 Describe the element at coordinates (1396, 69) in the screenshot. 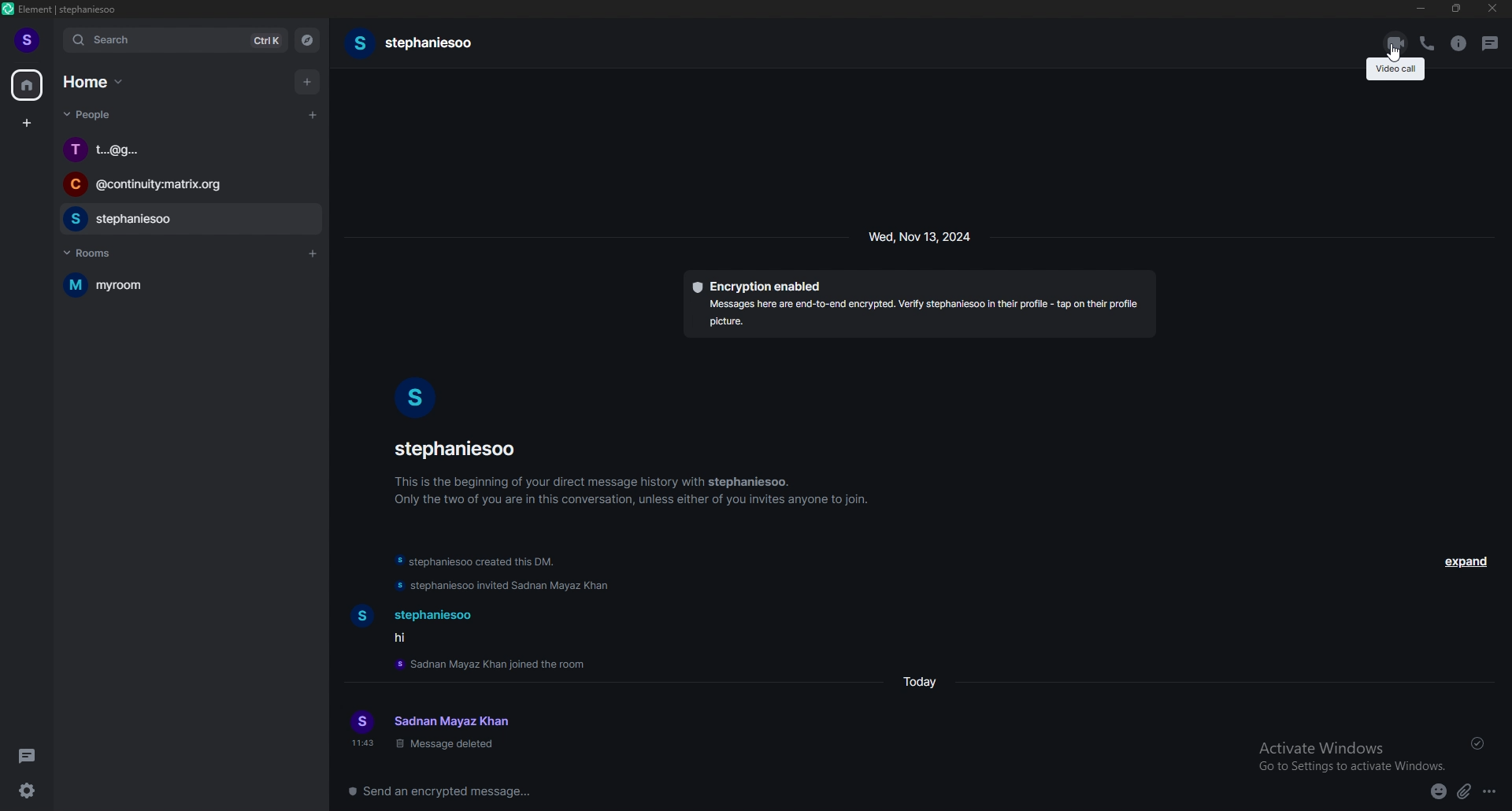

I see `tooltip` at that location.